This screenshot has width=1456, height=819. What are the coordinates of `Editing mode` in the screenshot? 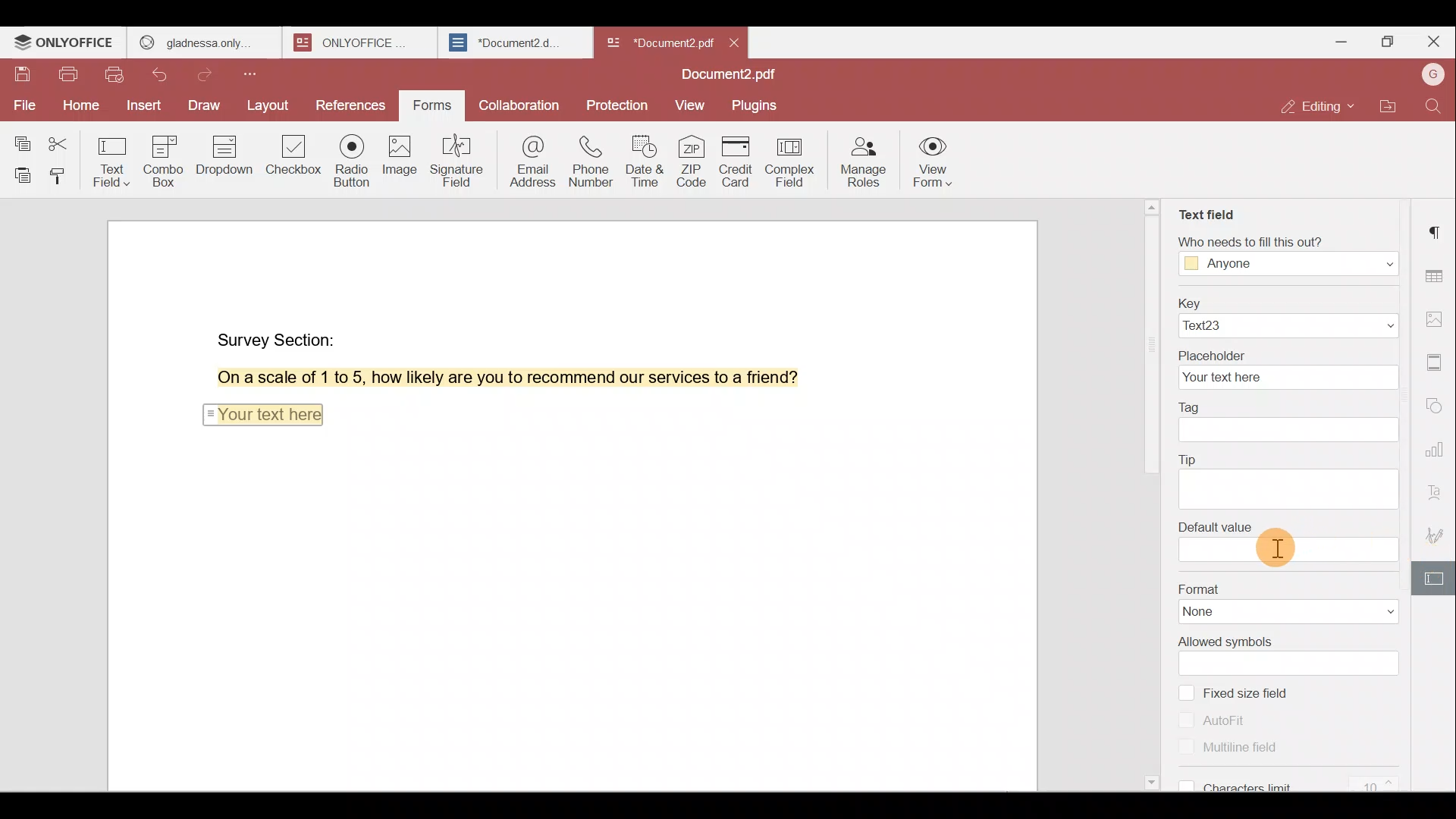 It's located at (1320, 106).